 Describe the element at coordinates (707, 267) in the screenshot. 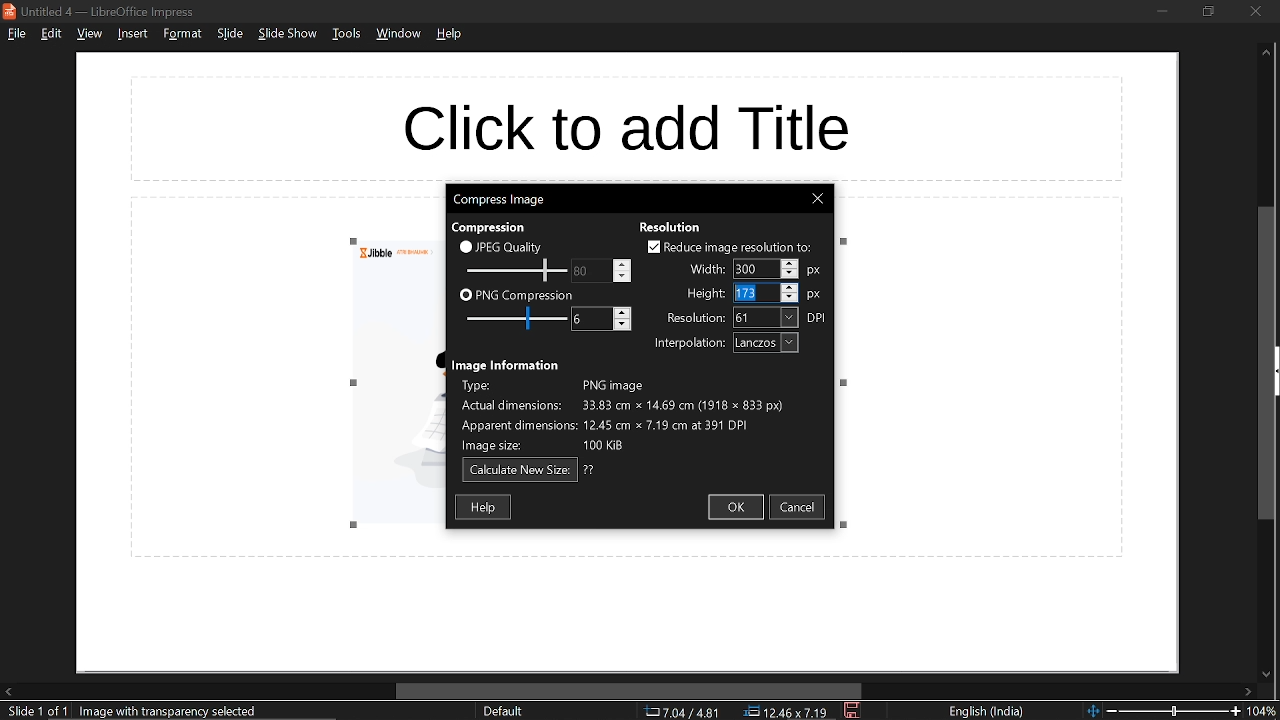

I see `text` at that location.